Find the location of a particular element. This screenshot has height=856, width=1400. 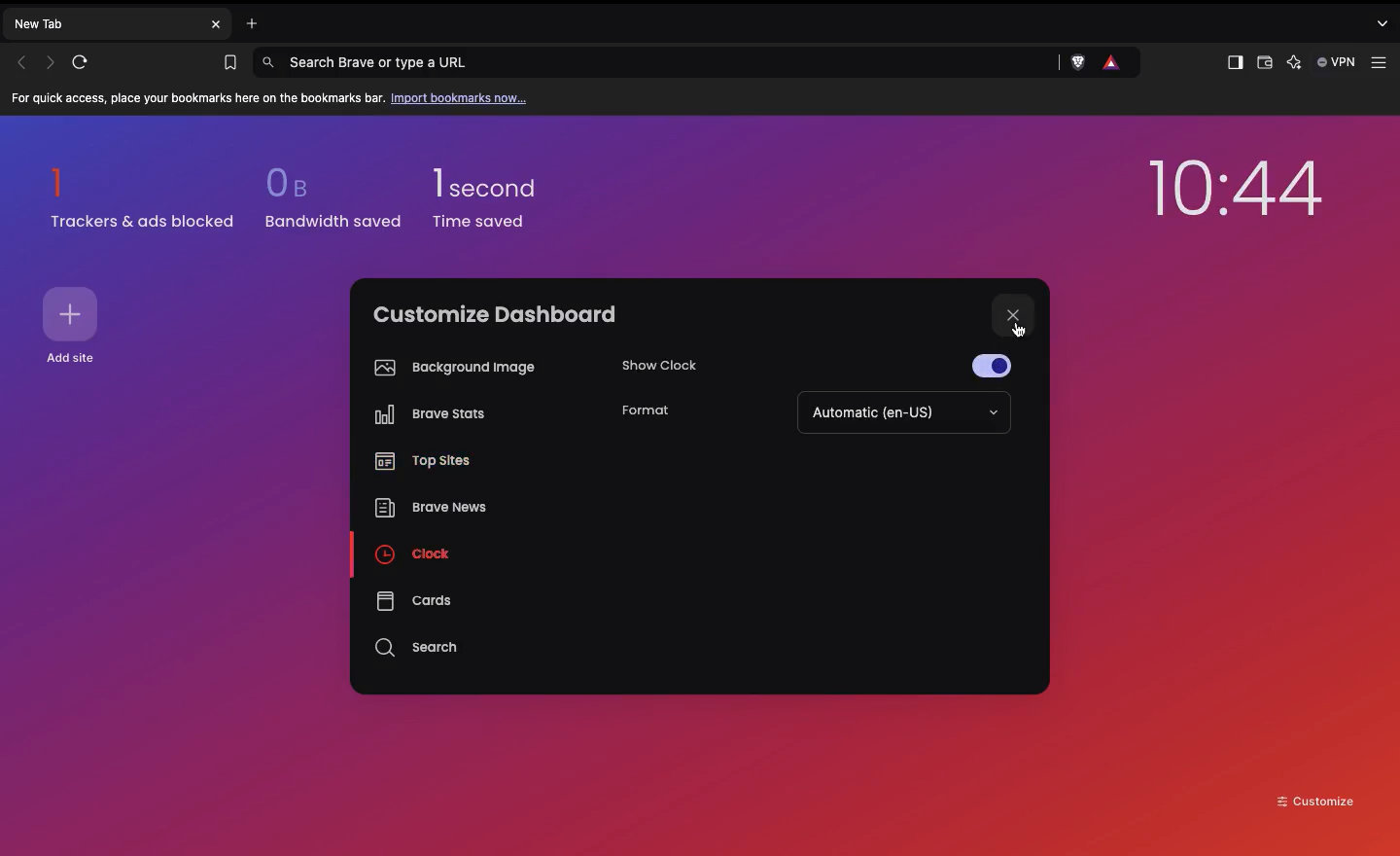

New tab is located at coordinates (103, 22).